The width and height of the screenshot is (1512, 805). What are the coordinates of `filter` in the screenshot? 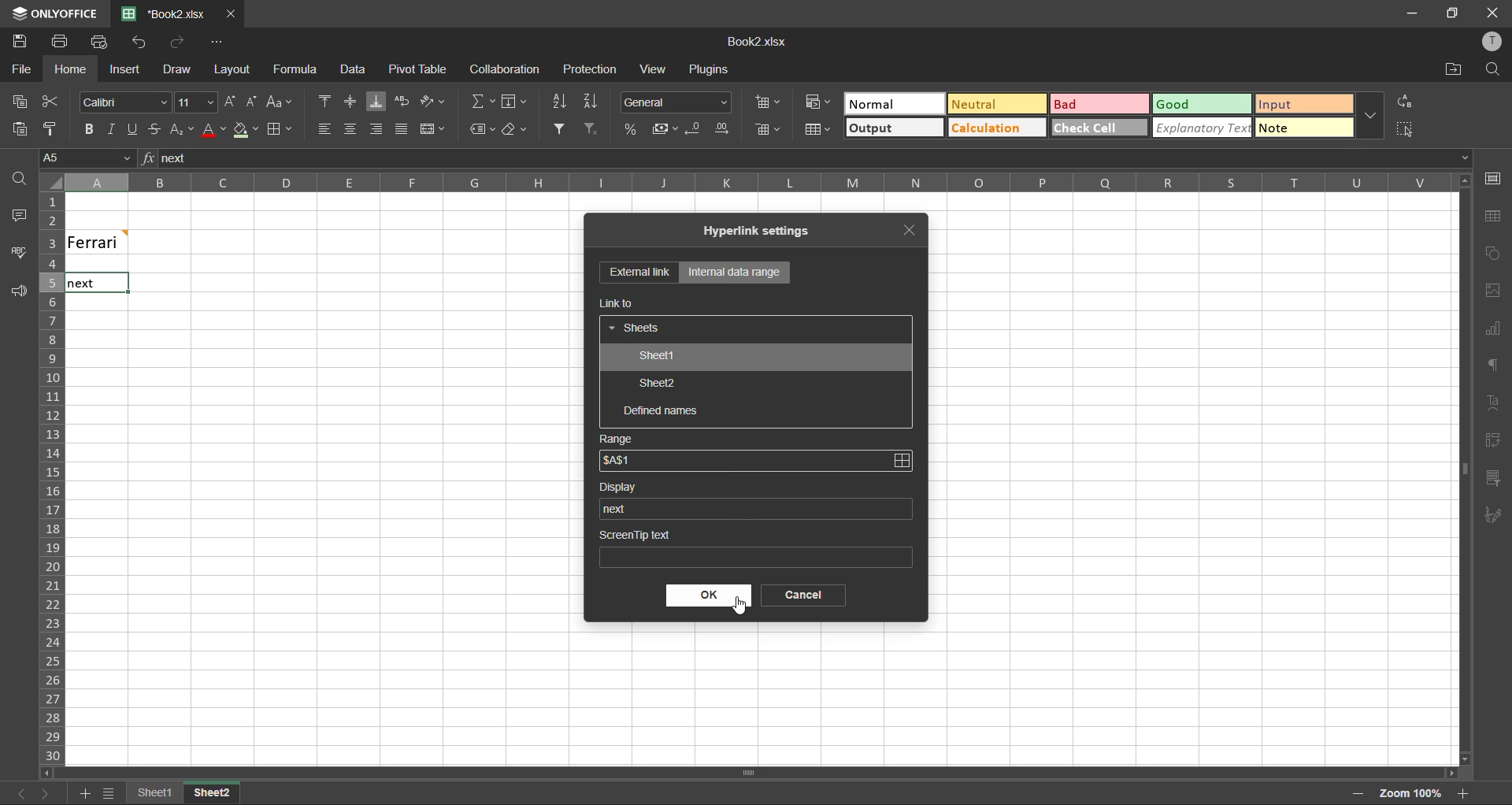 It's located at (559, 127).